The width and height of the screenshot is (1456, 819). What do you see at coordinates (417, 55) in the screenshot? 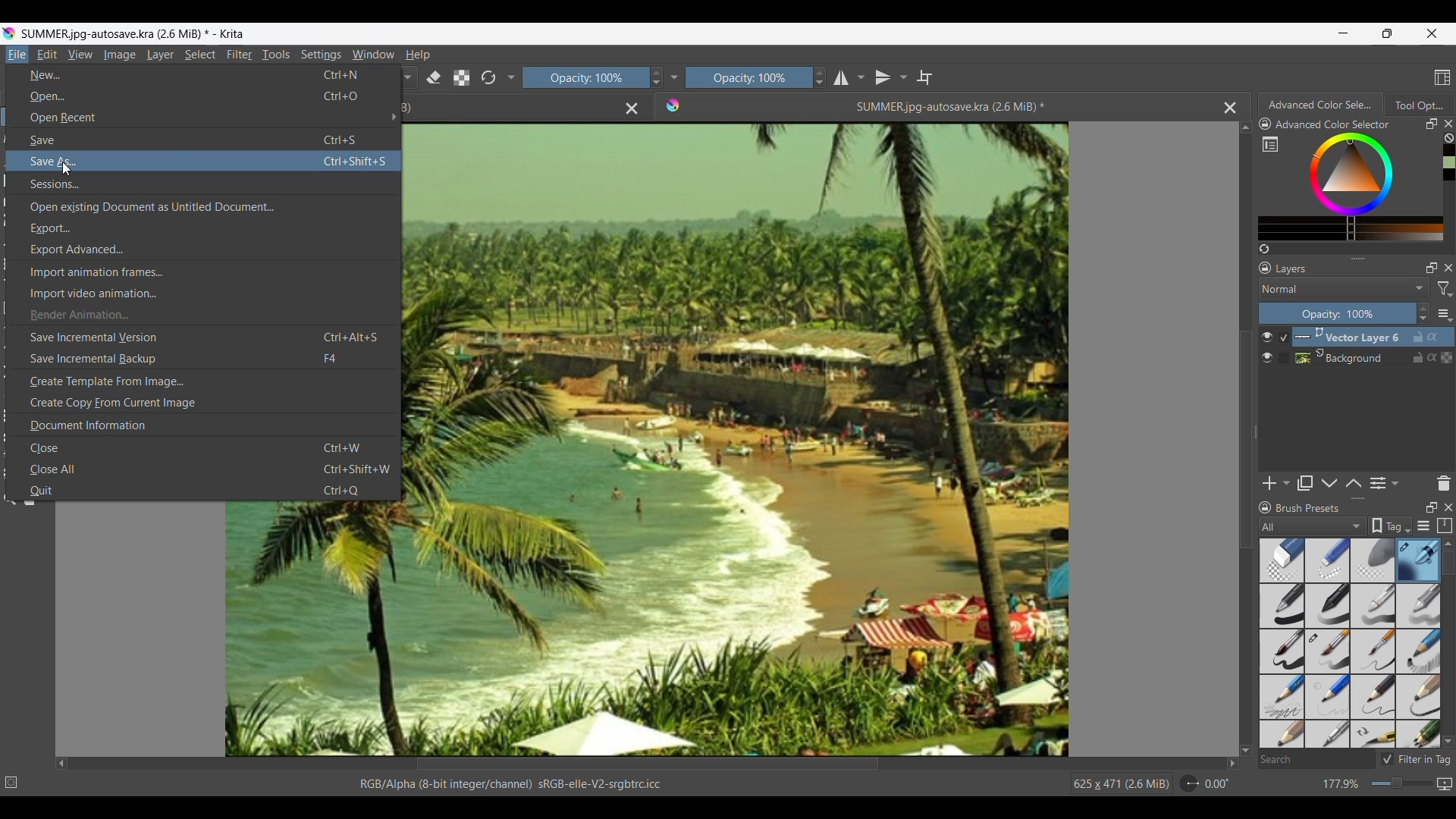
I see `Help` at bounding box center [417, 55].